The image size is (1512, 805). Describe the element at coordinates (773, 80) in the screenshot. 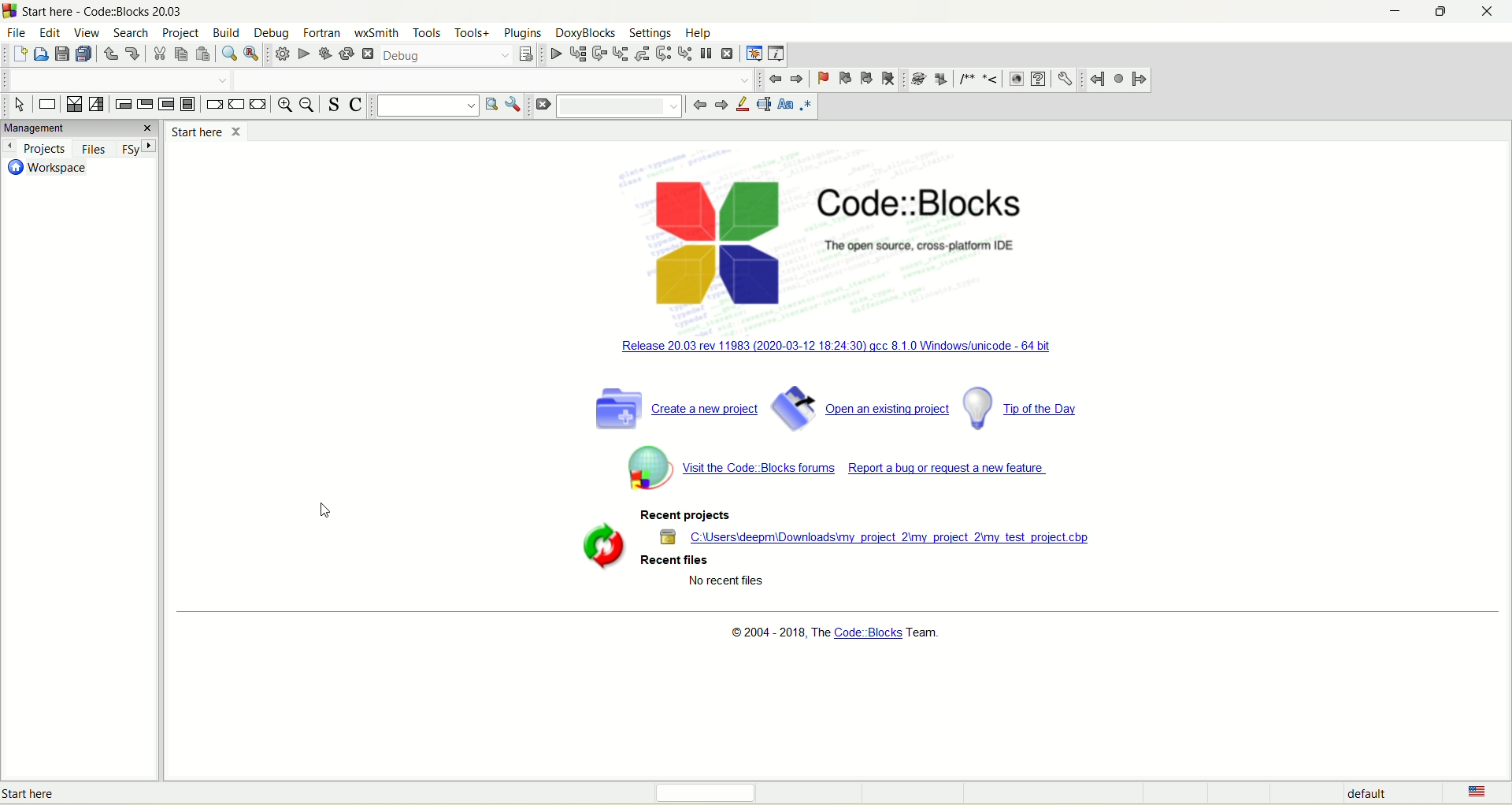

I see `jump back` at that location.